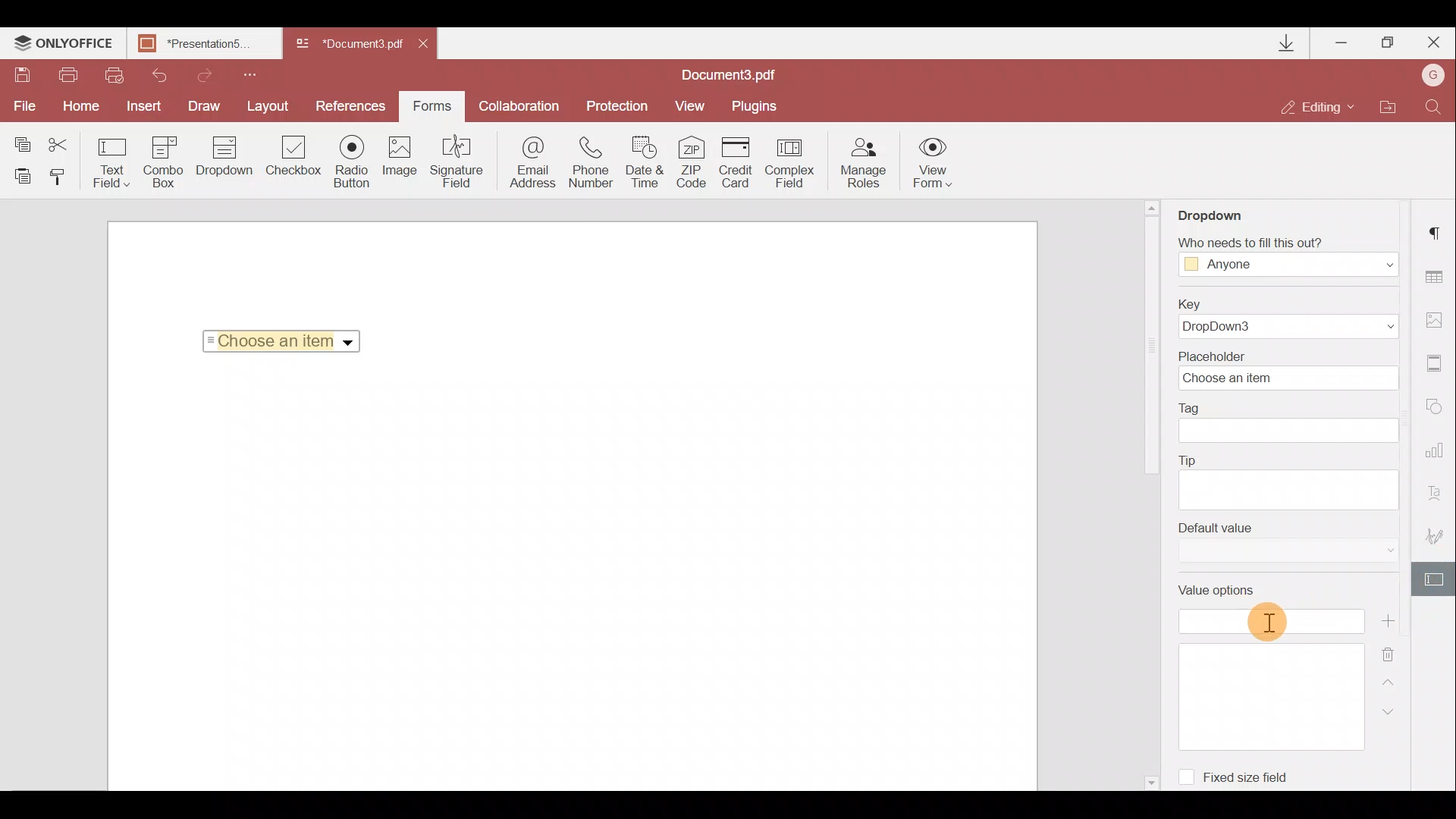 This screenshot has width=1456, height=819. Describe the element at coordinates (352, 106) in the screenshot. I see `Preferences` at that location.